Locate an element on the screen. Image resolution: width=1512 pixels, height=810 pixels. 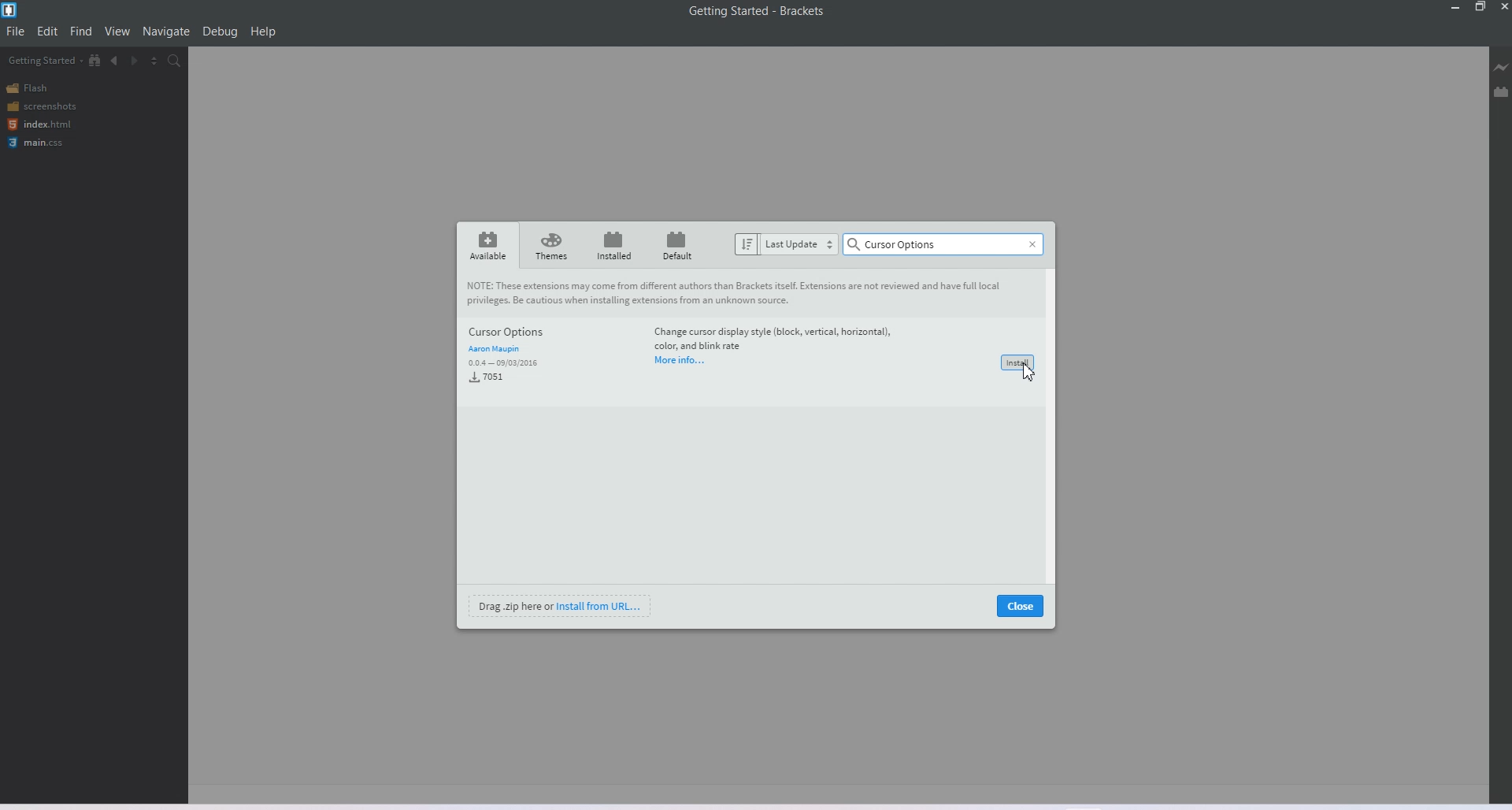
available is located at coordinates (488, 243).